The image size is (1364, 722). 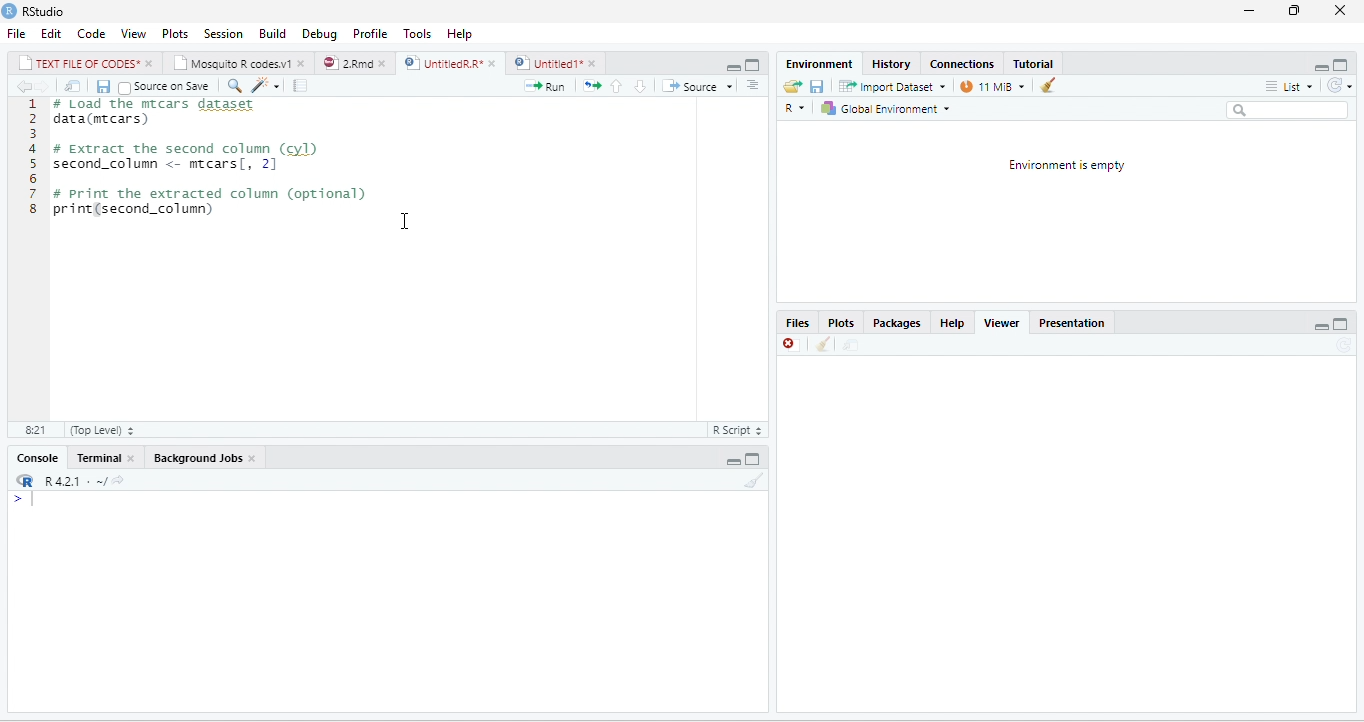 I want to click on source on save, so click(x=171, y=86).